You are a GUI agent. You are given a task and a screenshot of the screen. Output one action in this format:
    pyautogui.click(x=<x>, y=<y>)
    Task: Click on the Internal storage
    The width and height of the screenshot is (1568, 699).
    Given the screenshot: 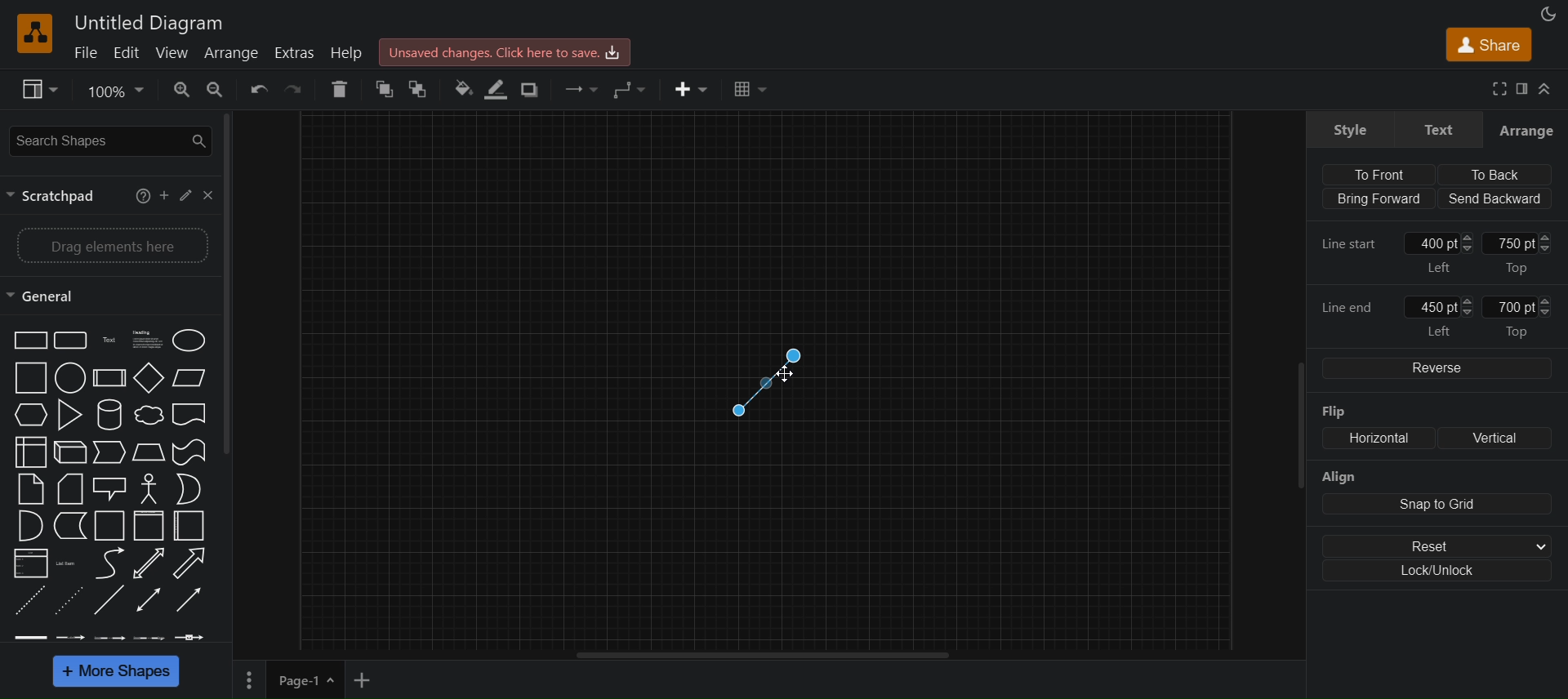 What is the action you would take?
    pyautogui.click(x=29, y=452)
    